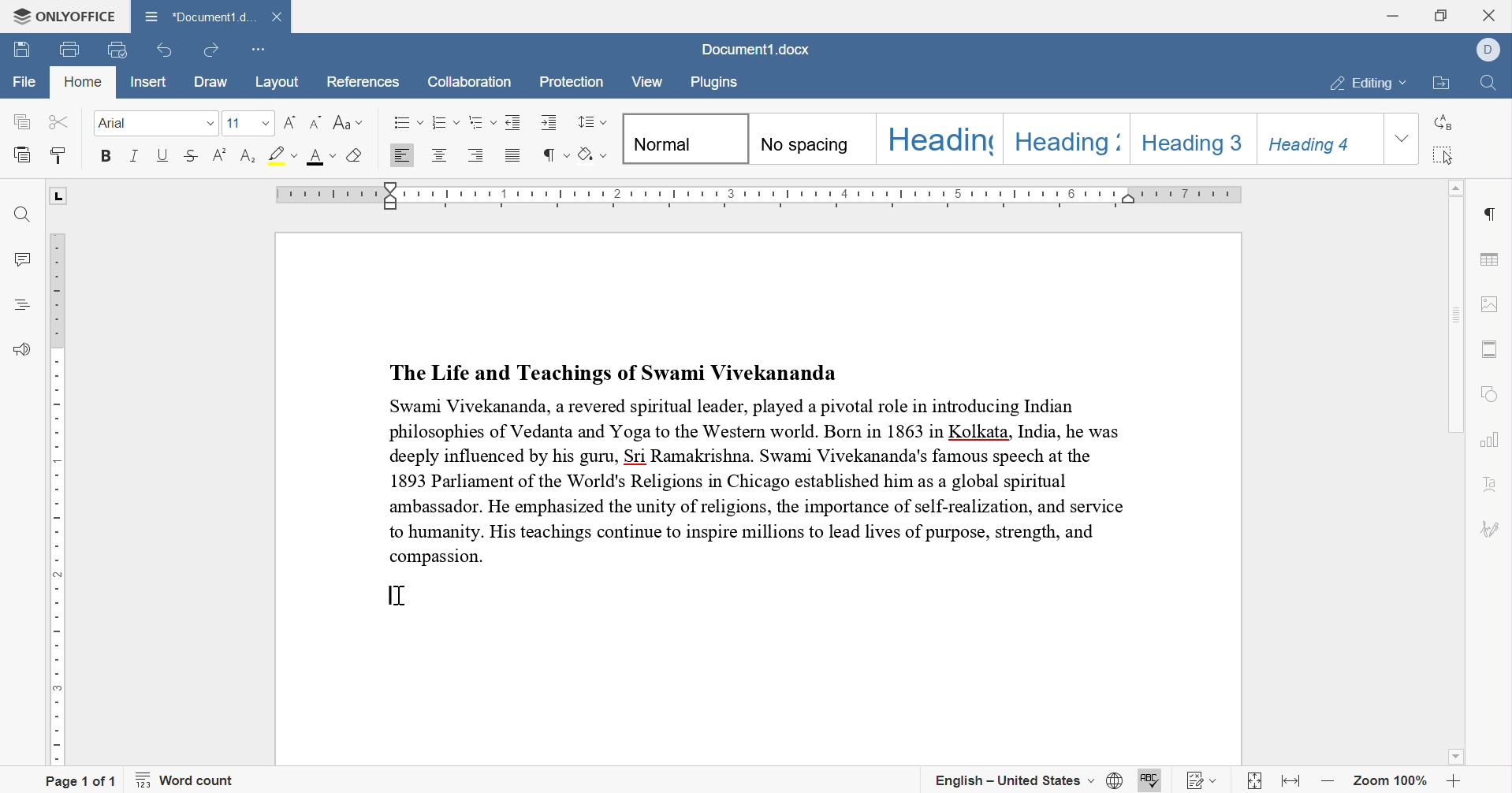  I want to click on scroll up, so click(1458, 185).